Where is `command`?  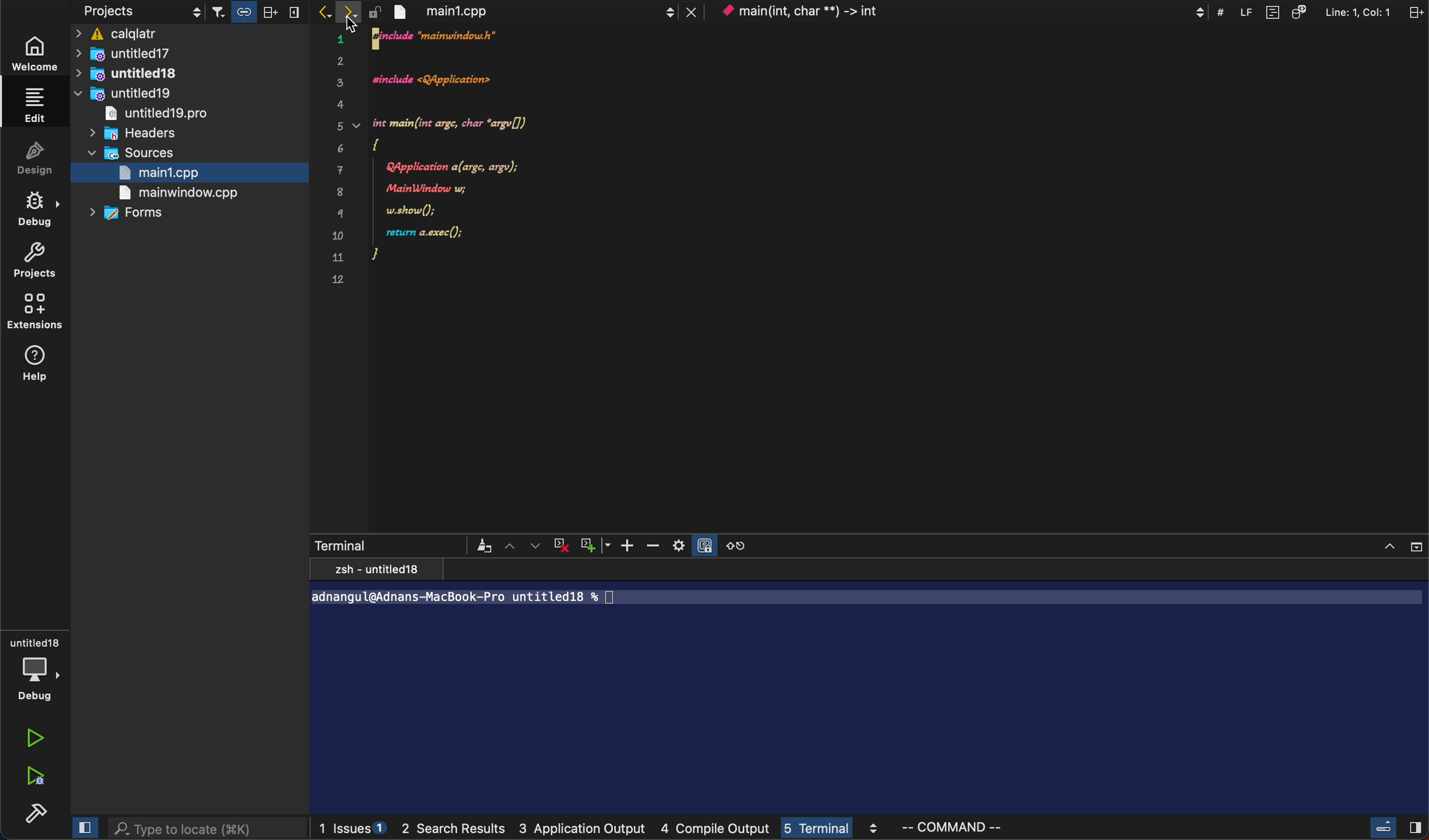 command is located at coordinates (1004, 826).